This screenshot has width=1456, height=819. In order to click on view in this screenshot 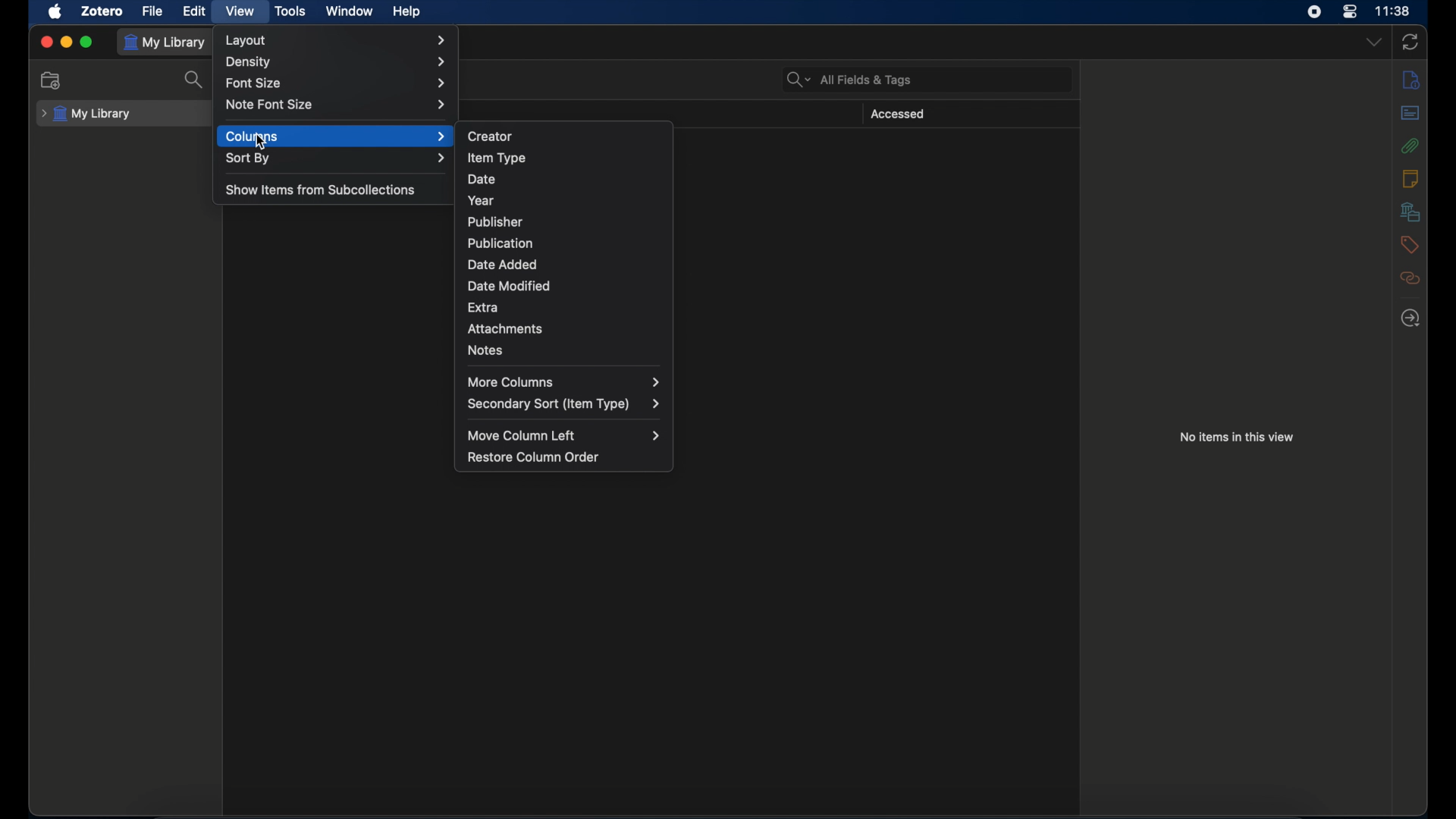, I will do `click(240, 11)`.